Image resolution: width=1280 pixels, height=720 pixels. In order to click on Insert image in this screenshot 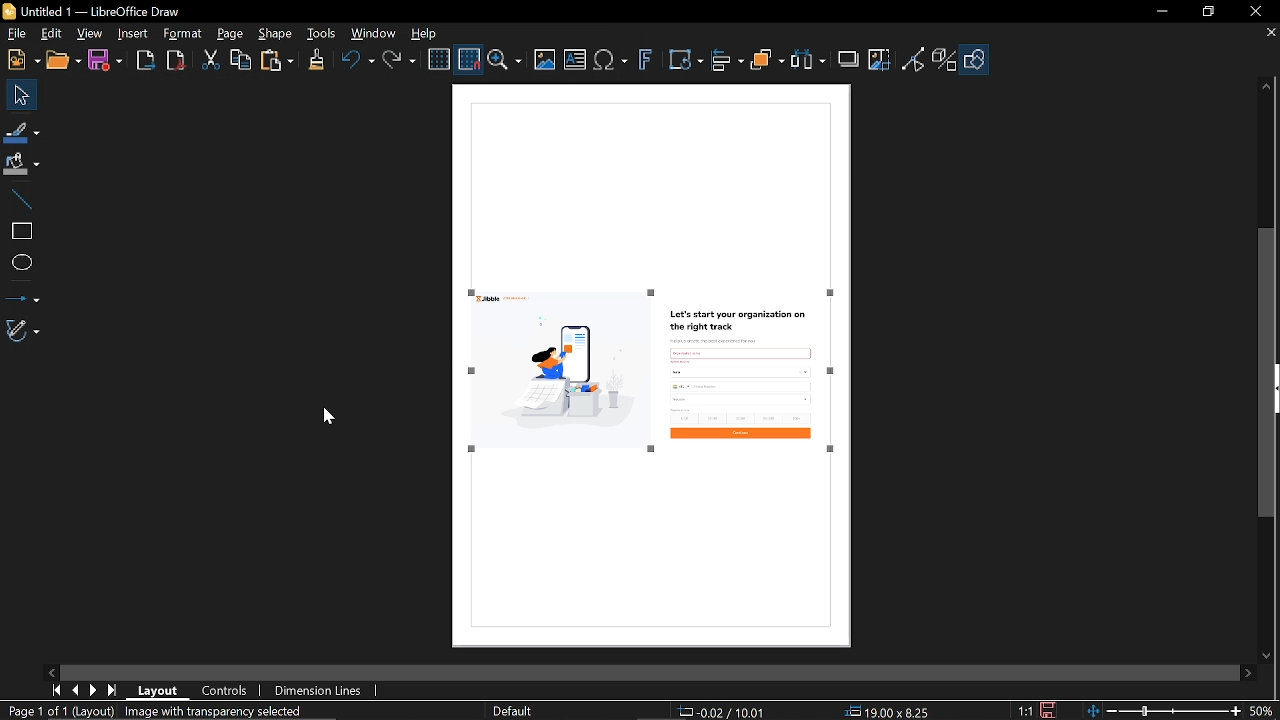, I will do `click(546, 62)`.